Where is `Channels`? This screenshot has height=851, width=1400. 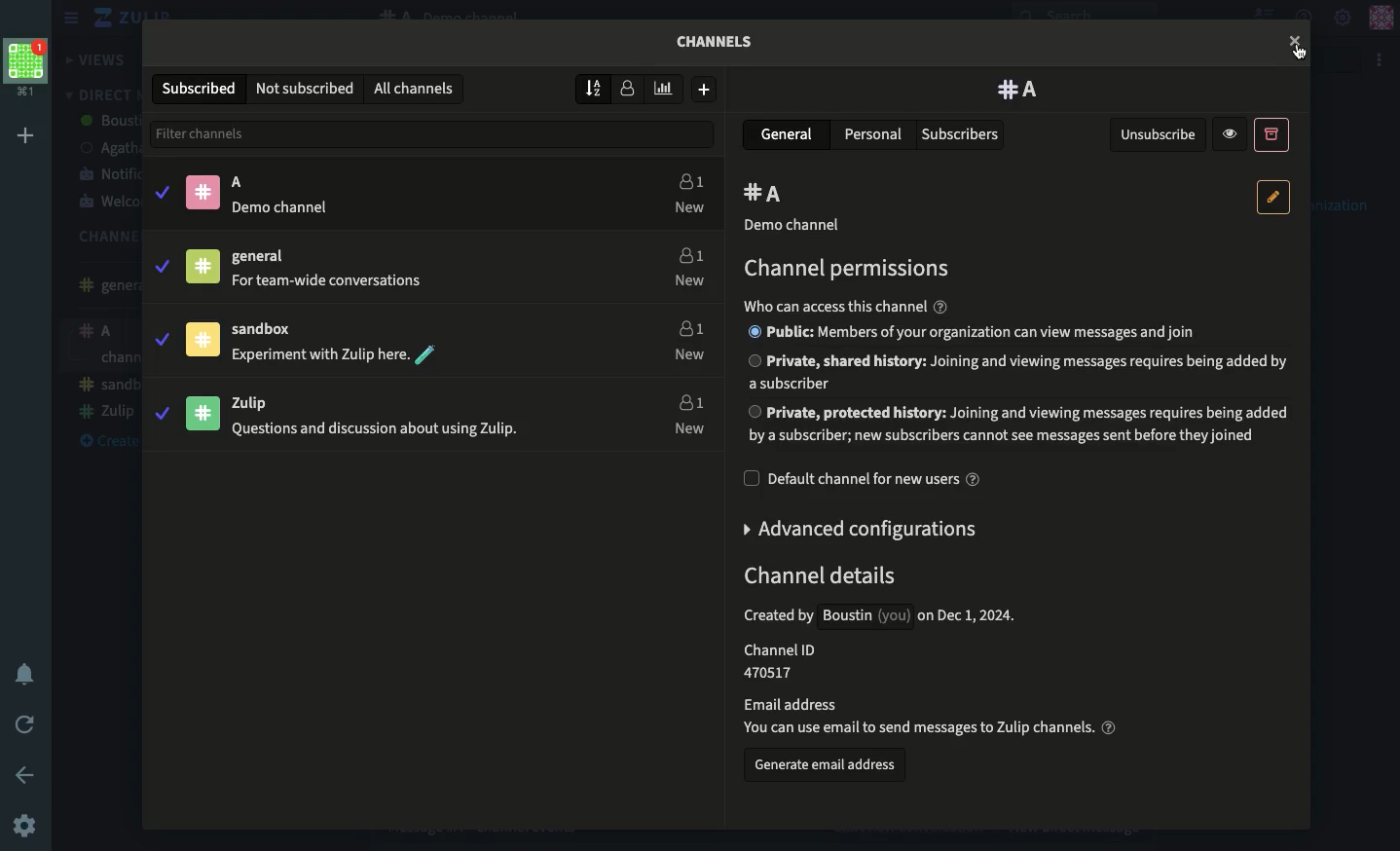
Channels is located at coordinates (722, 47).